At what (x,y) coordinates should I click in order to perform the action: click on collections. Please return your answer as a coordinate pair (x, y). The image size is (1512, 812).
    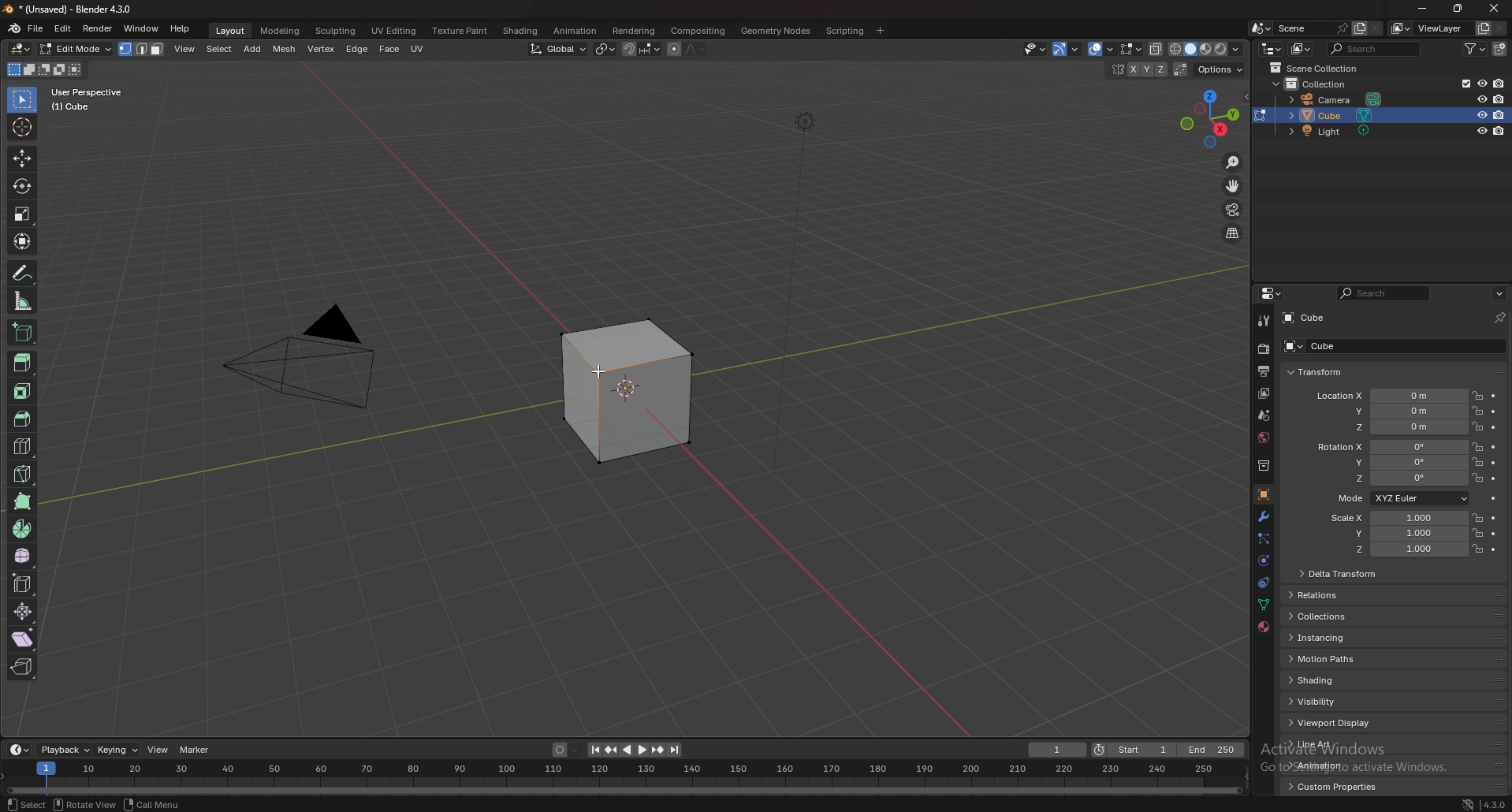
    Looking at the image, I should click on (1350, 616).